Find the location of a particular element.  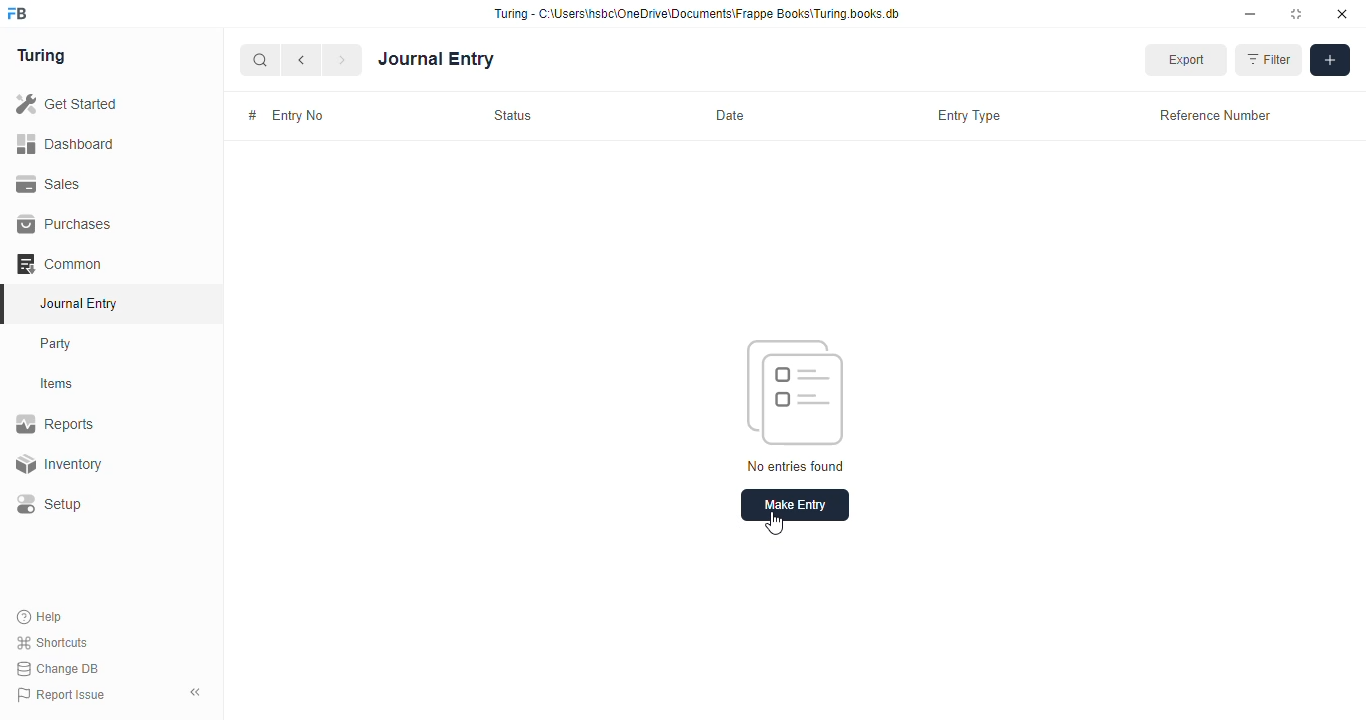

journal entry is located at coordinates (78, 303).